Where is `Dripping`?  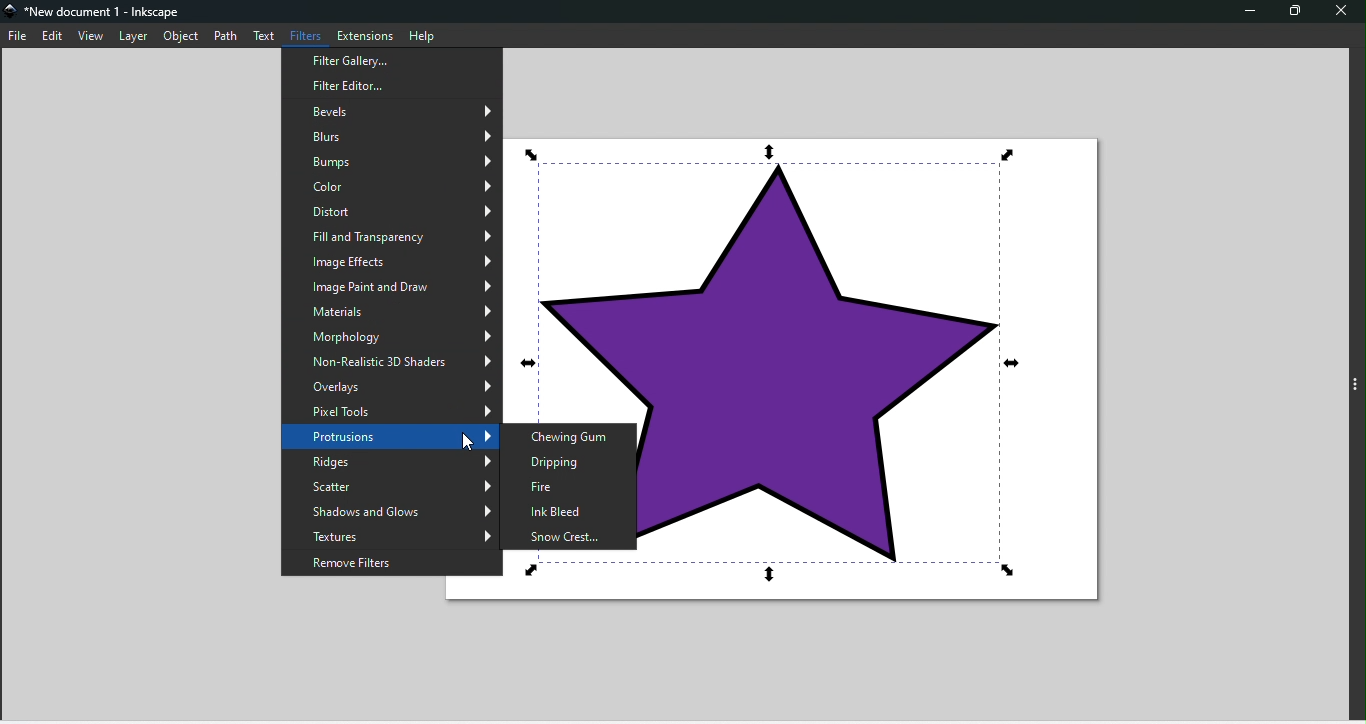 Dripping is located at coordinates (567, 458).